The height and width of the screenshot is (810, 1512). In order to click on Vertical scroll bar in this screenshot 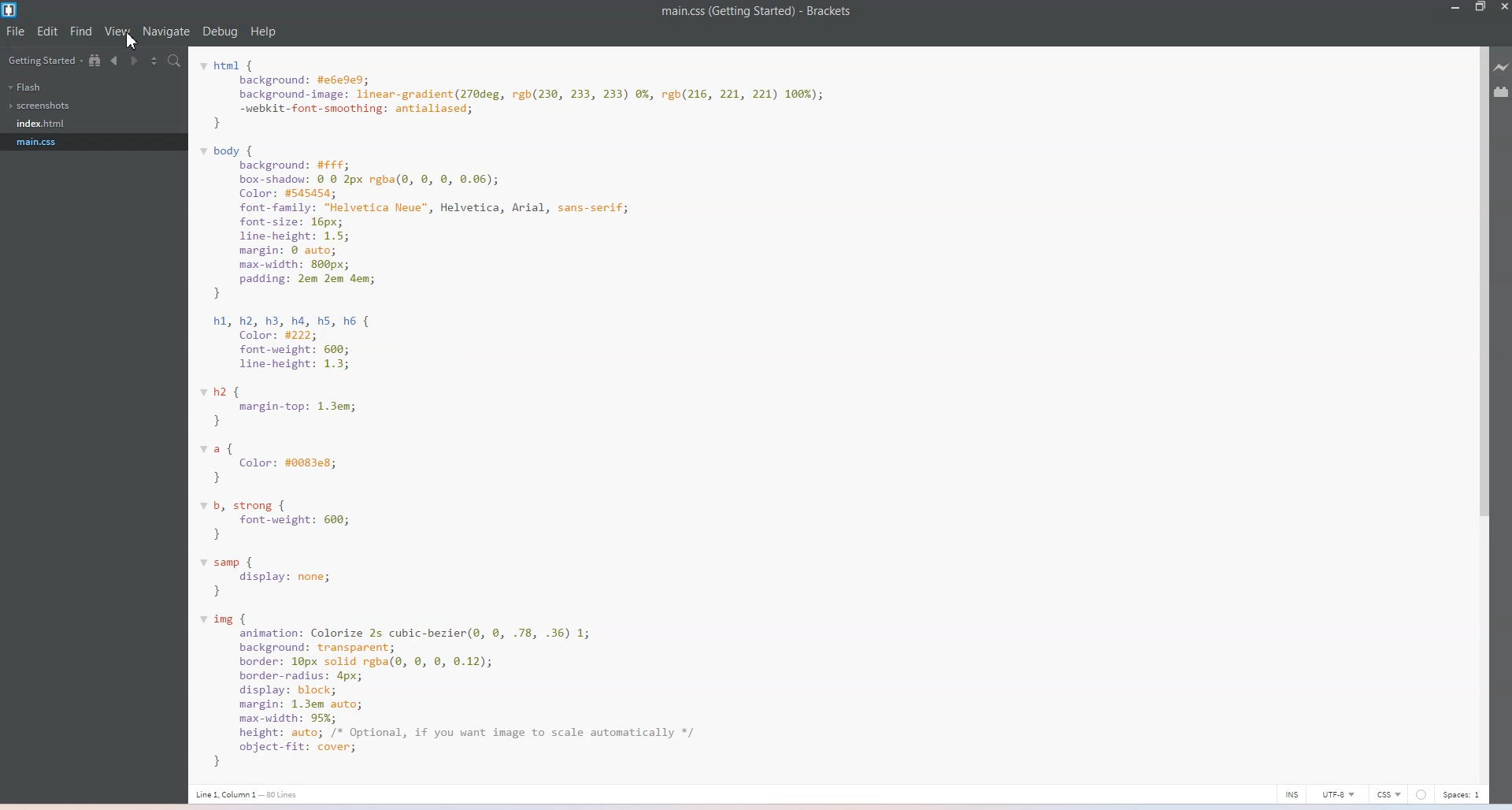, I will do `click(1480, 412)`.